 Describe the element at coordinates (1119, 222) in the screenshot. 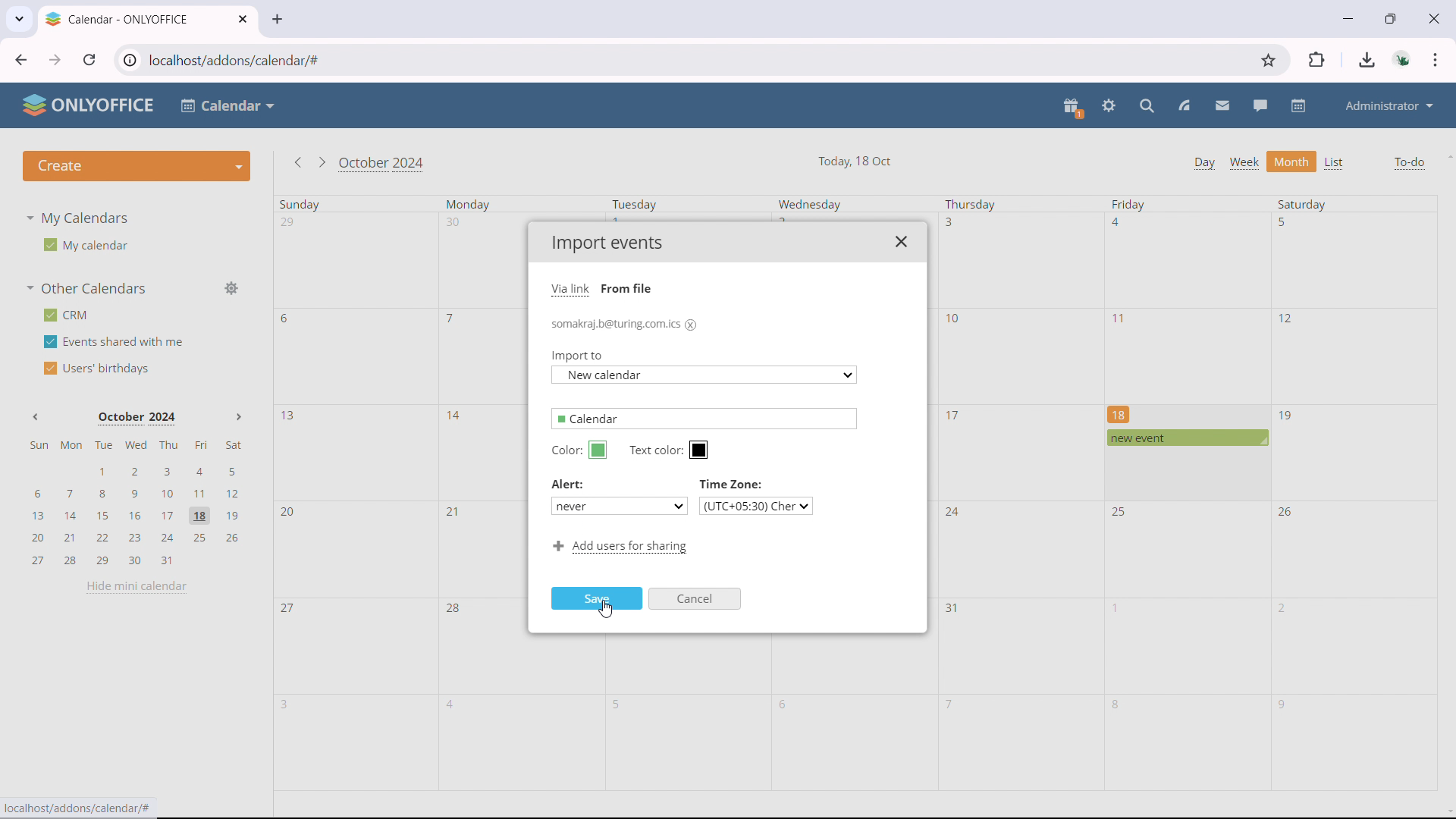

I see `4` at that location.